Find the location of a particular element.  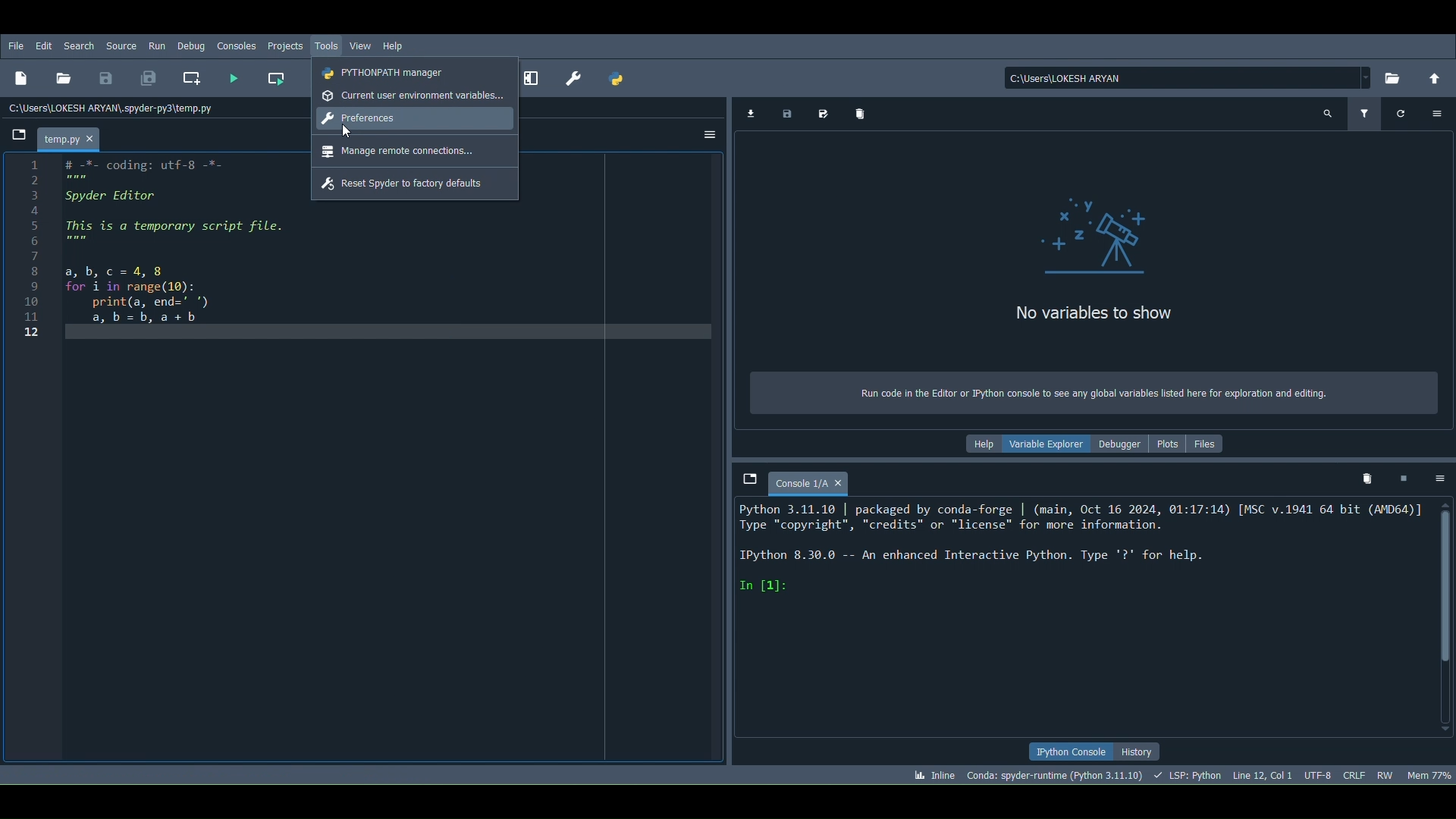

Run is located at coordinates (156, 46).